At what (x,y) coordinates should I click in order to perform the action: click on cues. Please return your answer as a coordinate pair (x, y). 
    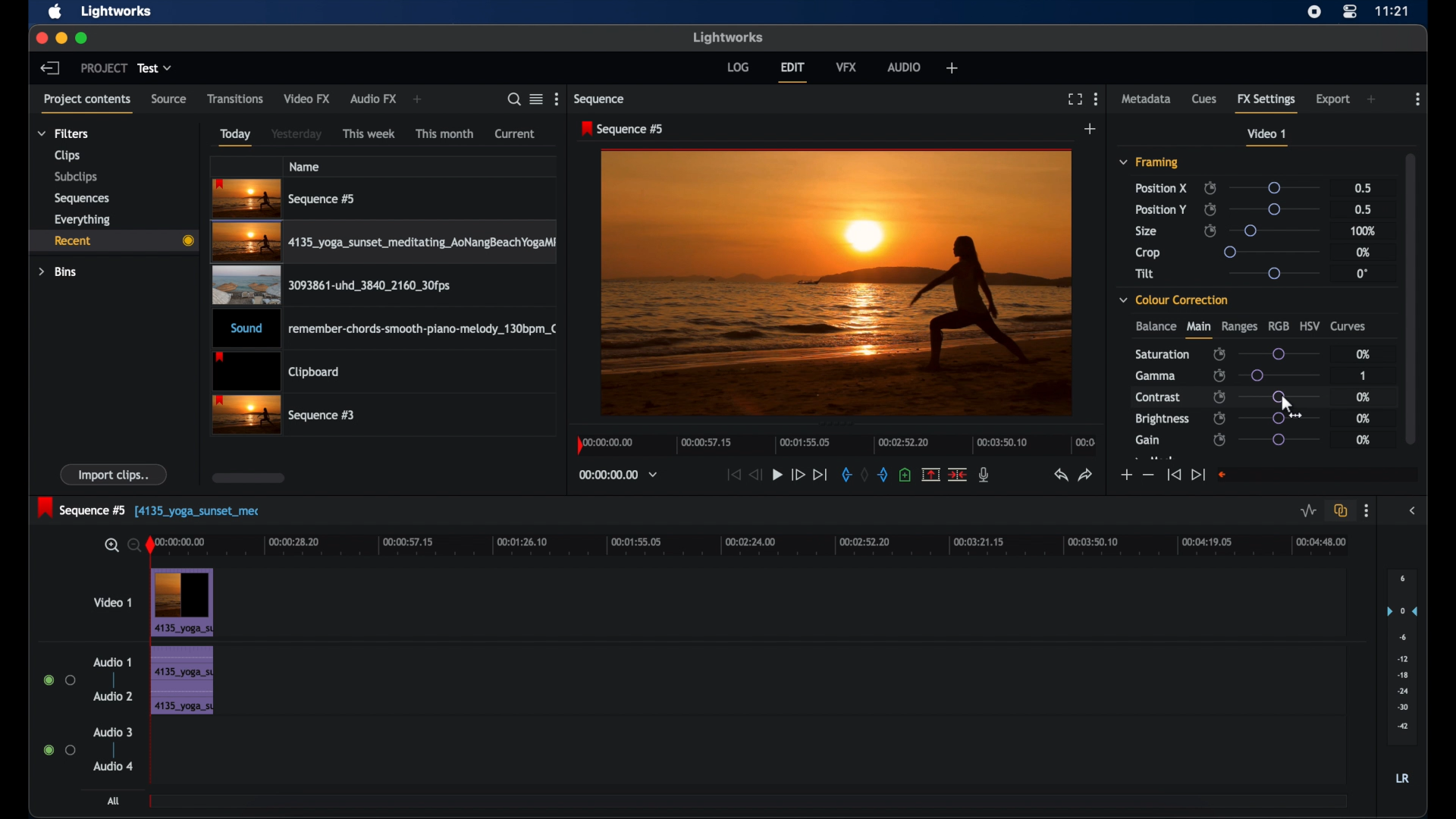
    Looking at the image, I should click on (1204, 102).